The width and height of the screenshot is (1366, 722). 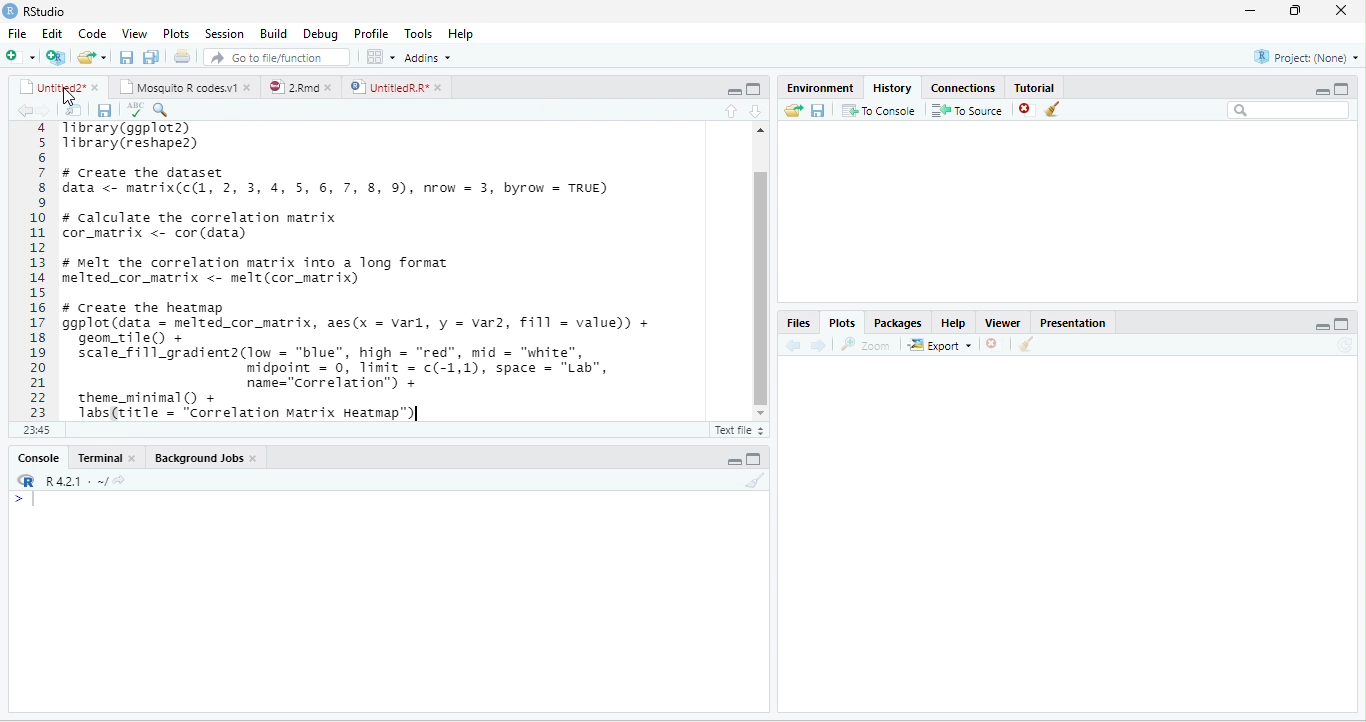 What do you see at coordinates (17, 33) in the screenshot?
I see `file` at bounding box center [17, 33].